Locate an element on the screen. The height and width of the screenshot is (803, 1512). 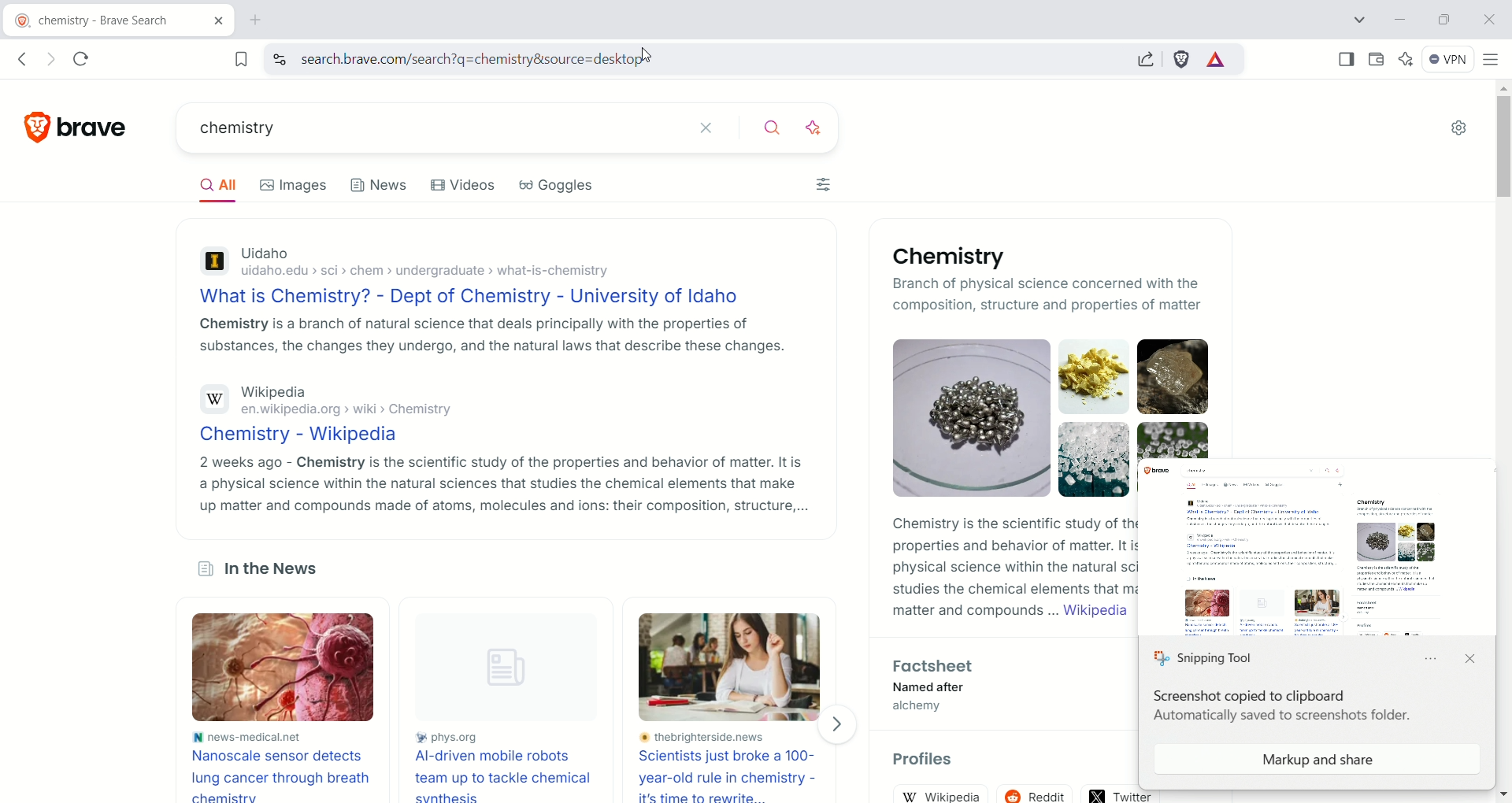
Videos is located at coordinates (466, 187).